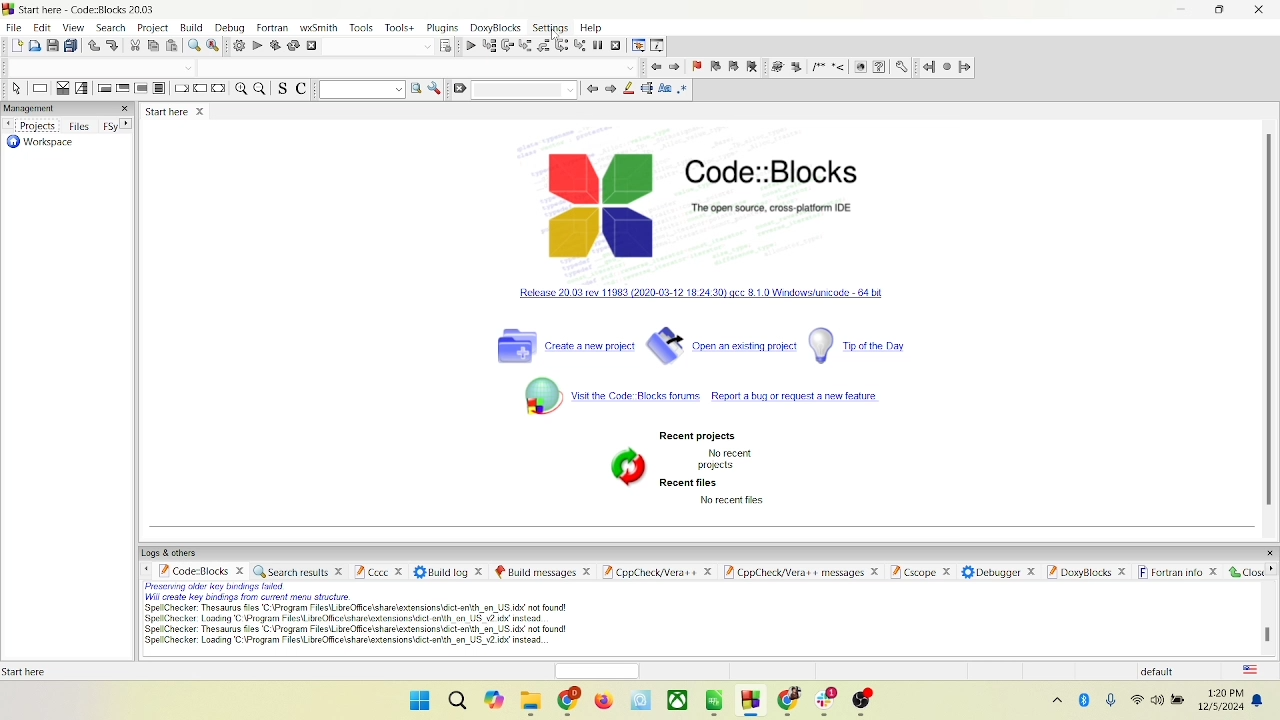  What do you see at coordinates (524, 89) in the screenshot?
I see `blank space` at bounding box center [524, 89].